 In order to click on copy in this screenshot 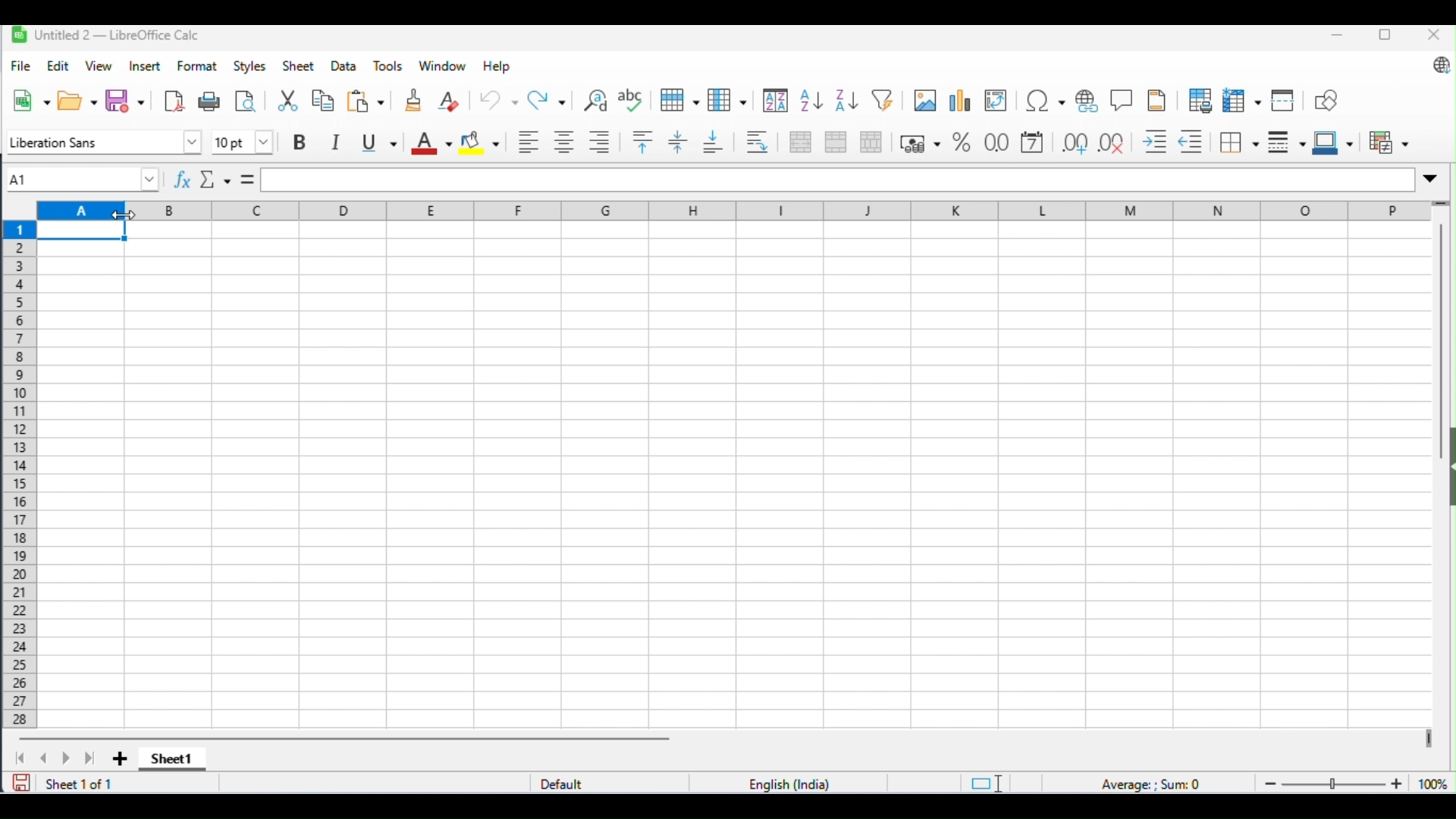, I will do `click(323, 101)`.